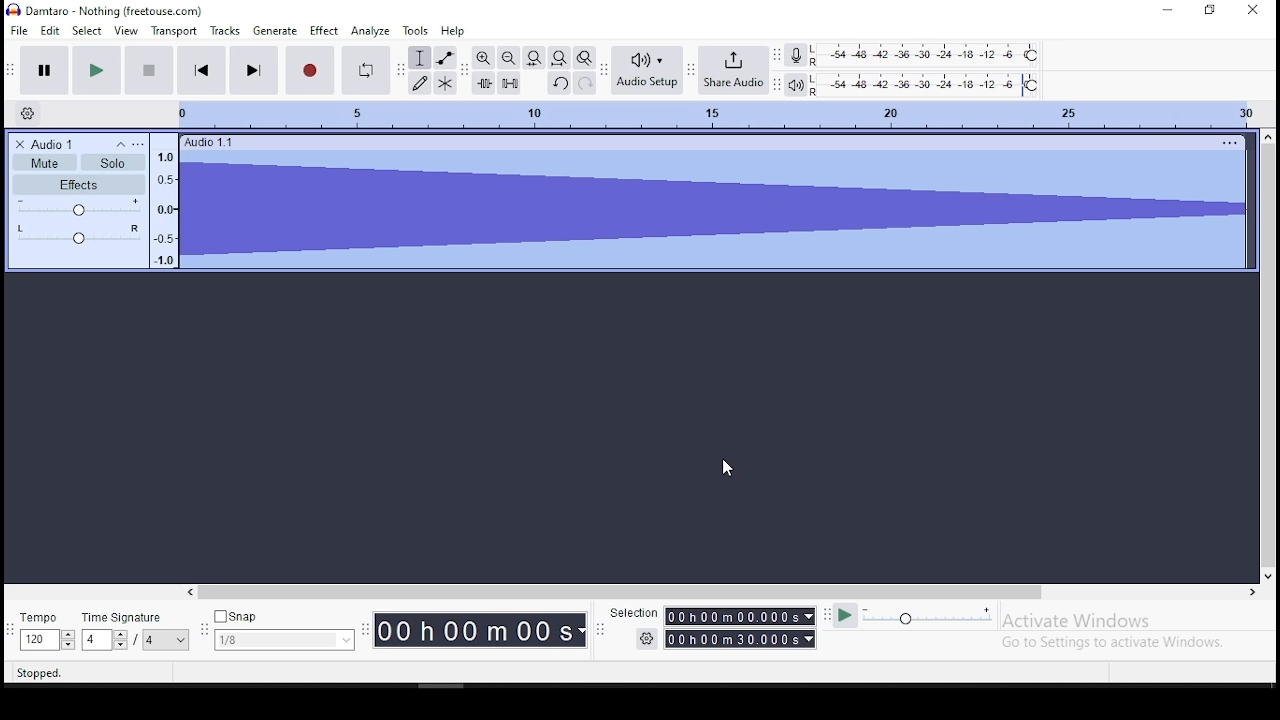 The image size is (1280, 720). What do you see at coordinates (284, 629) in the screenshot?
I see `snap` at bounding box center [284, 629].